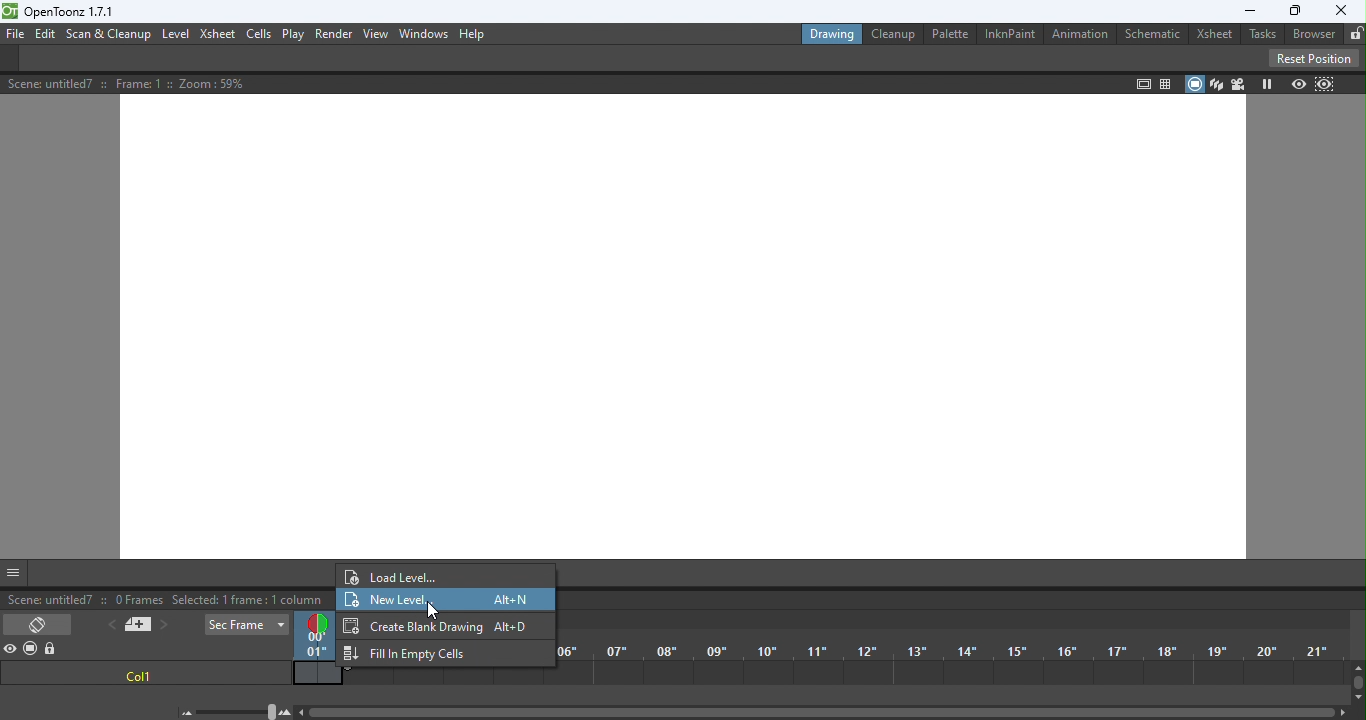 The image size is (1366, 720). I want to click on Field guide, so click(1168, 82).